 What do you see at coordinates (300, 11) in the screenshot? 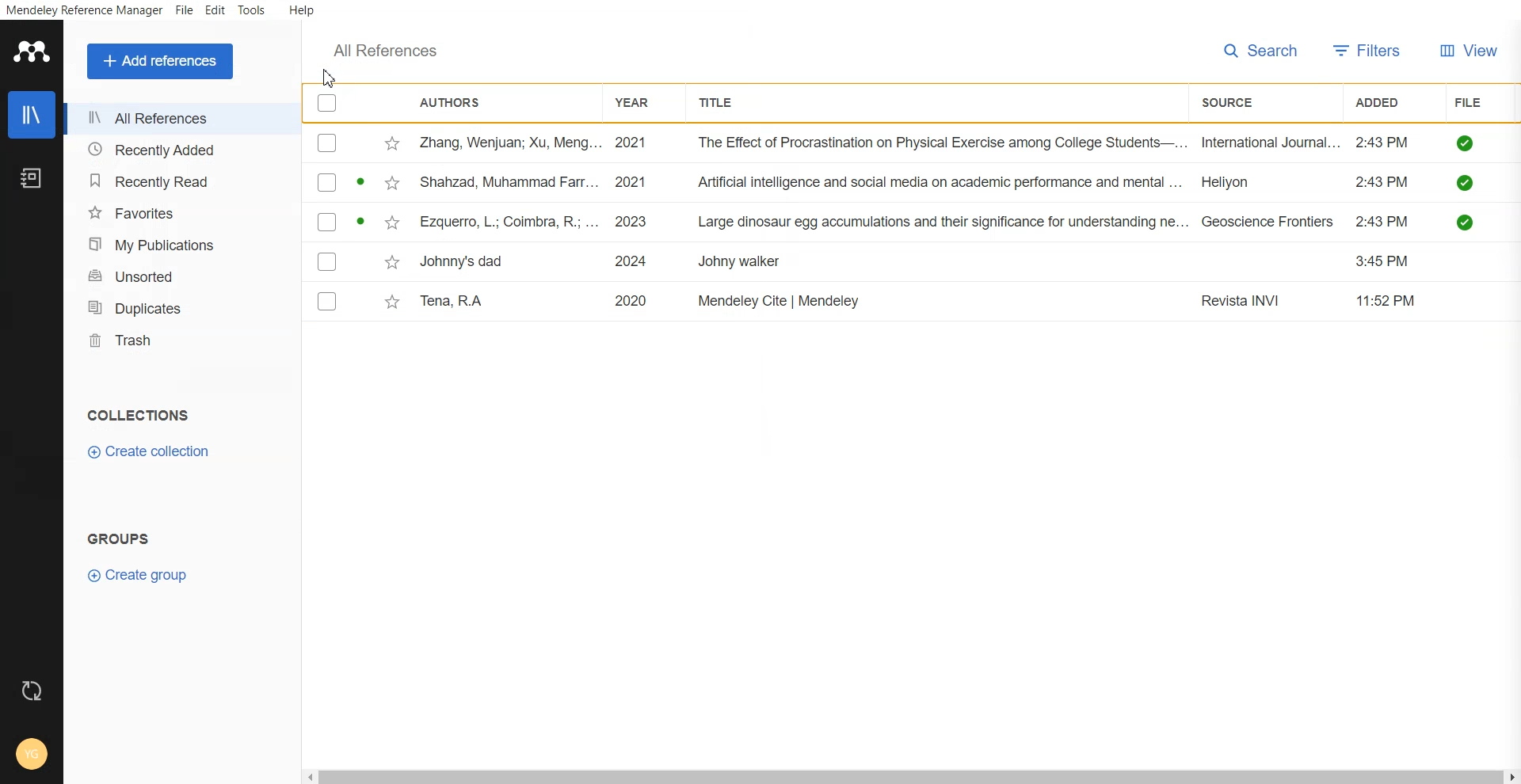
I see `Help` at bounding box center [300, 11].